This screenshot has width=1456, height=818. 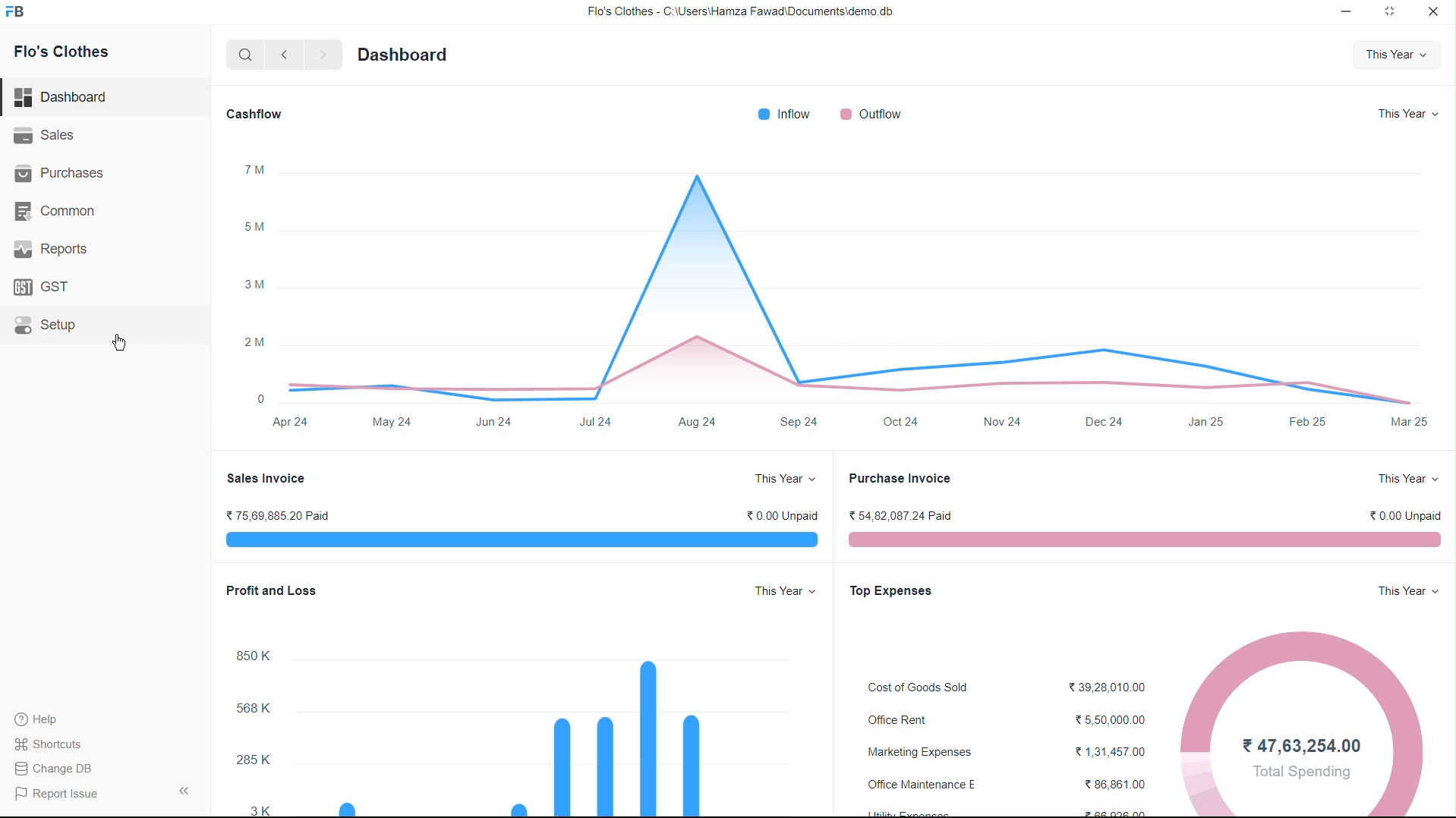 I want to click on 1,31,457.00, so click(x=1108, y=754).